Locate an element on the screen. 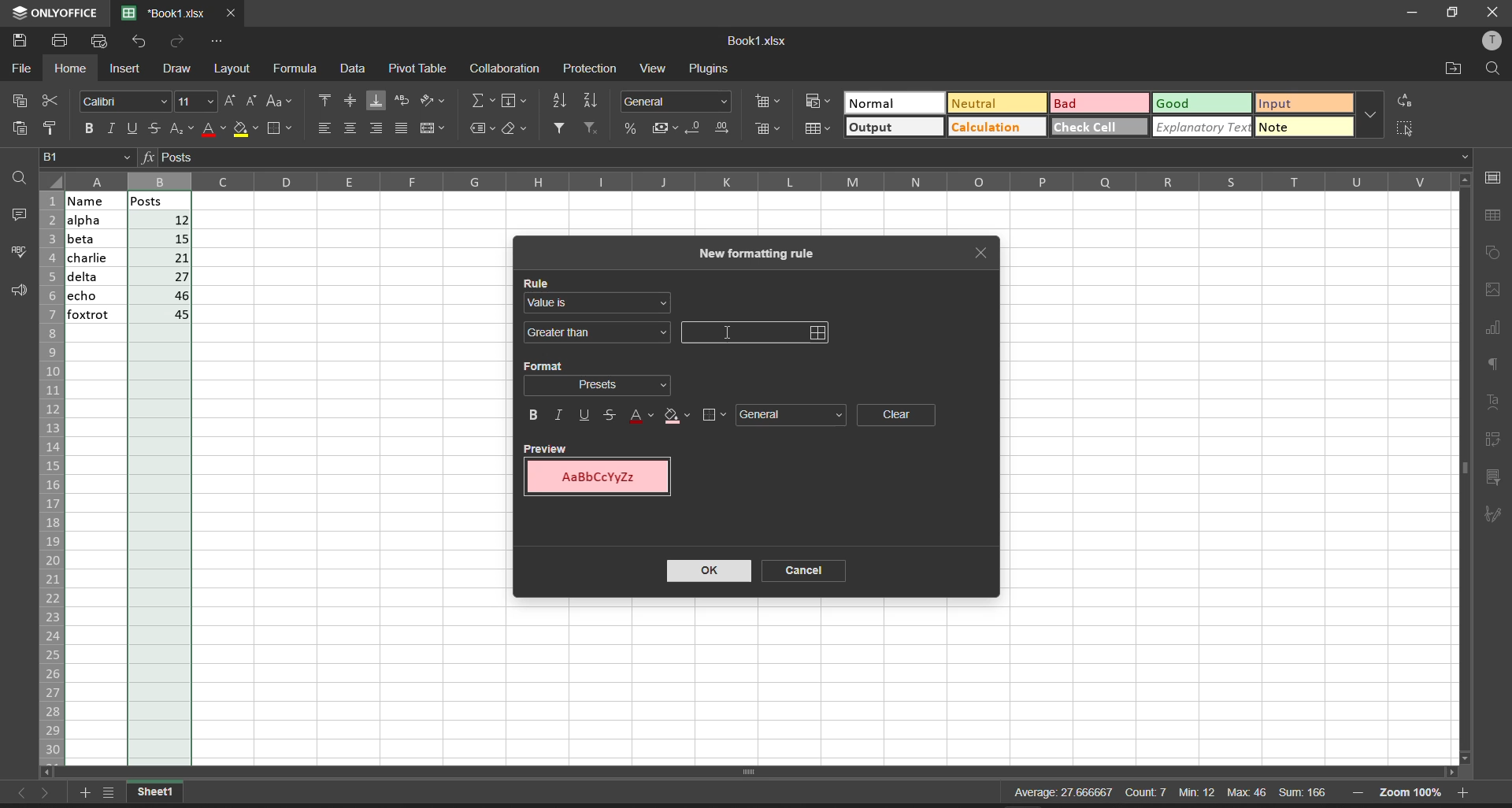 This screenshot has width=1512, height=808. Good is located at coordinates (1176, 102).